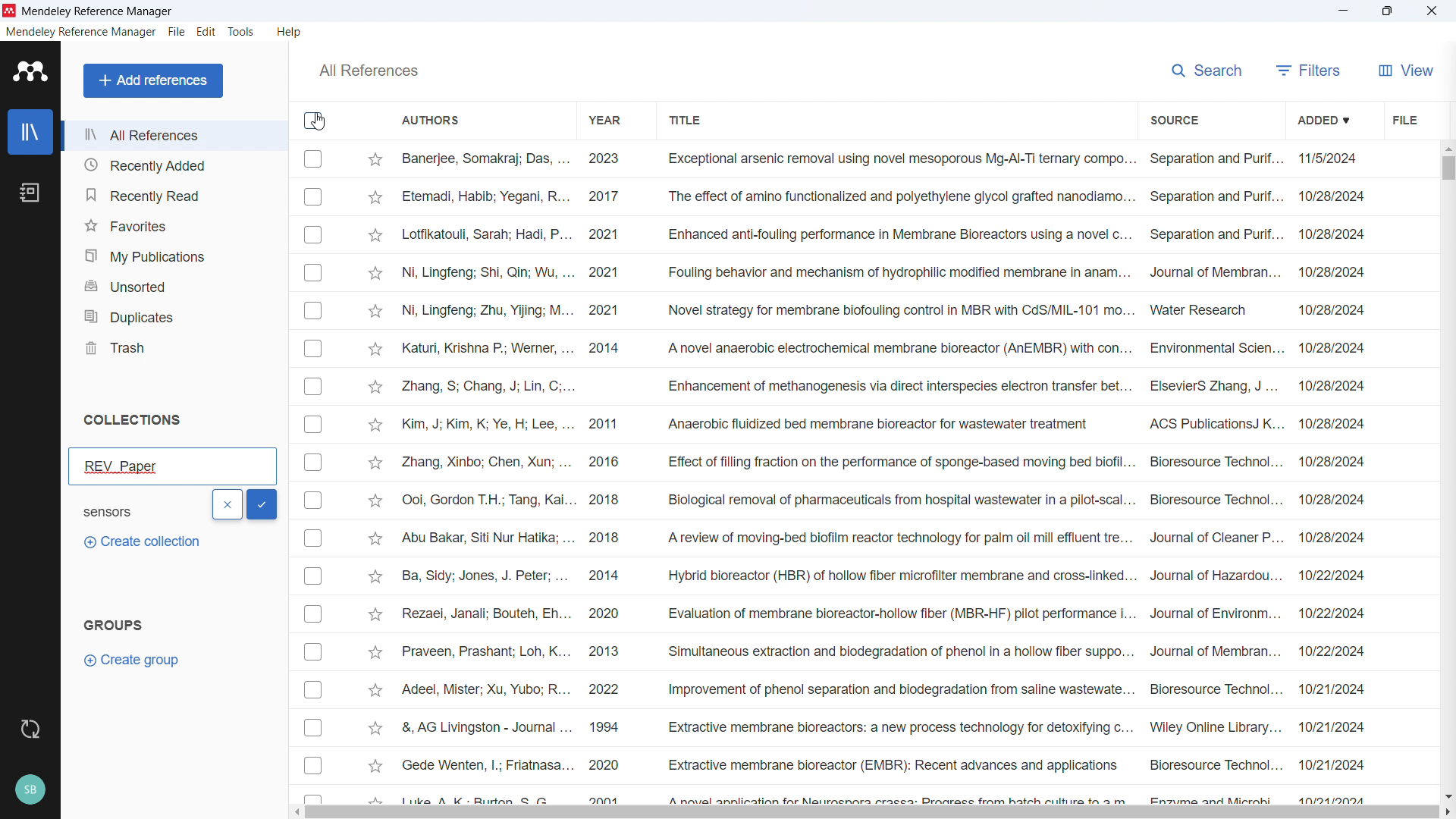  I want to click on Added, so click(1326, 118).